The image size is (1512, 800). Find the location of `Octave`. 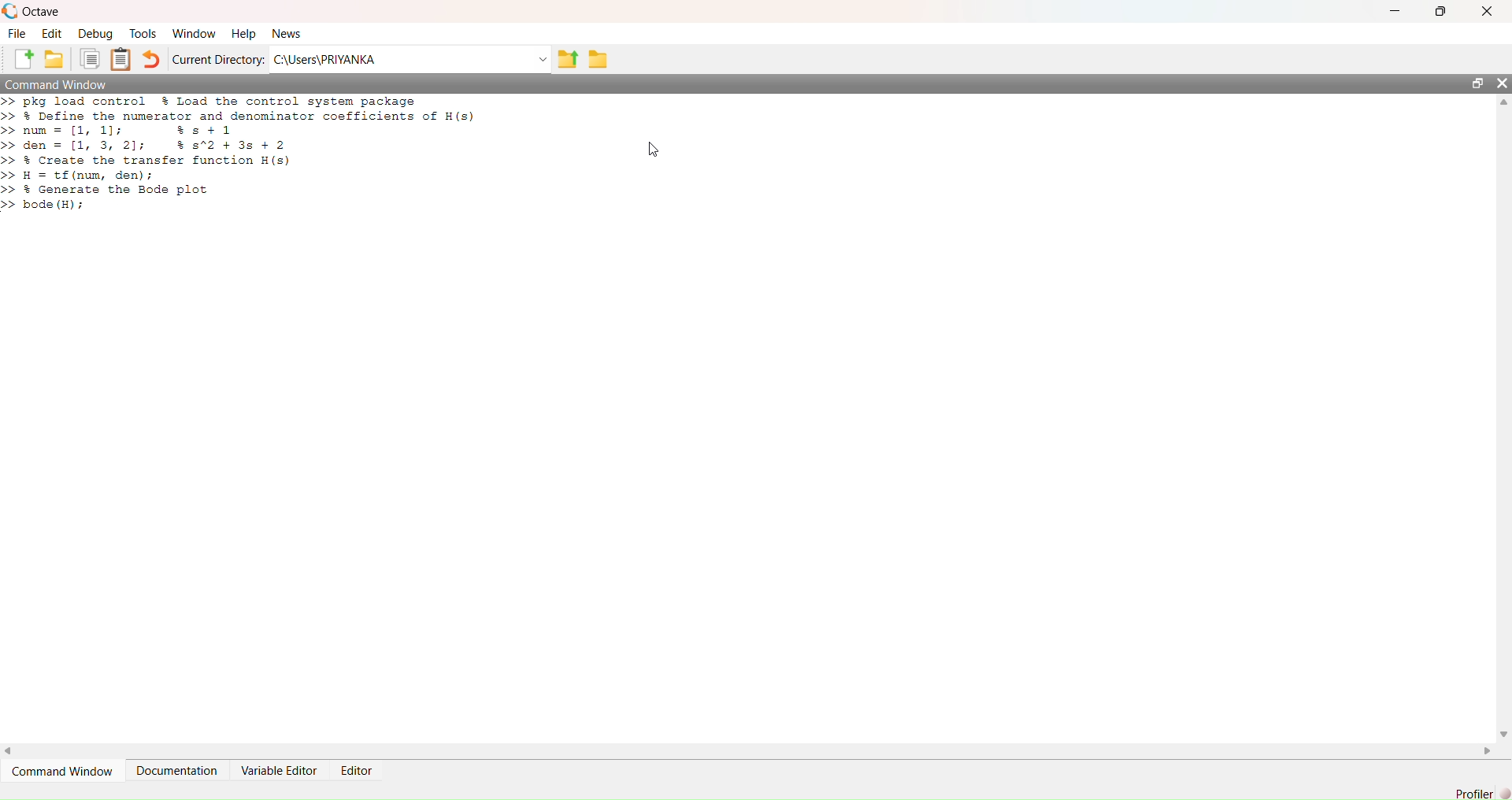

Octave is located at coordinates (43, 13).